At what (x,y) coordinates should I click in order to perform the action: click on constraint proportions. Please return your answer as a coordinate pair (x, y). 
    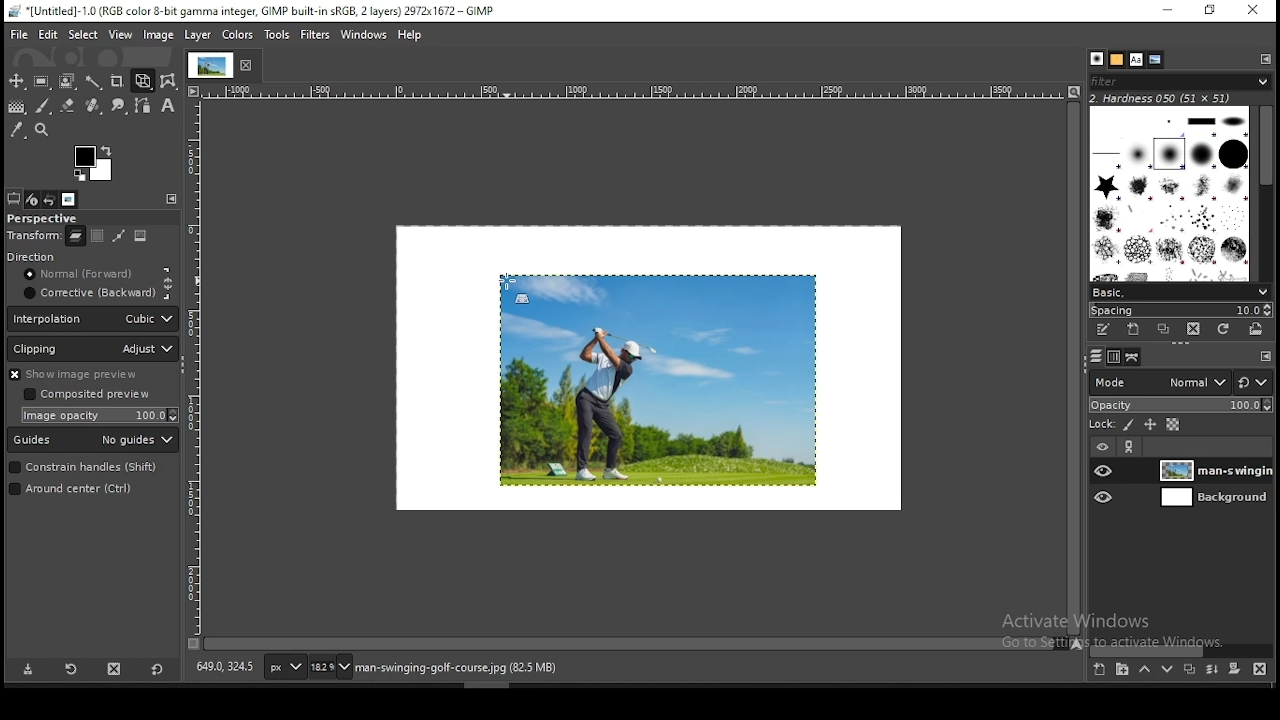
    Looking at the image, I should click on (169, 282).